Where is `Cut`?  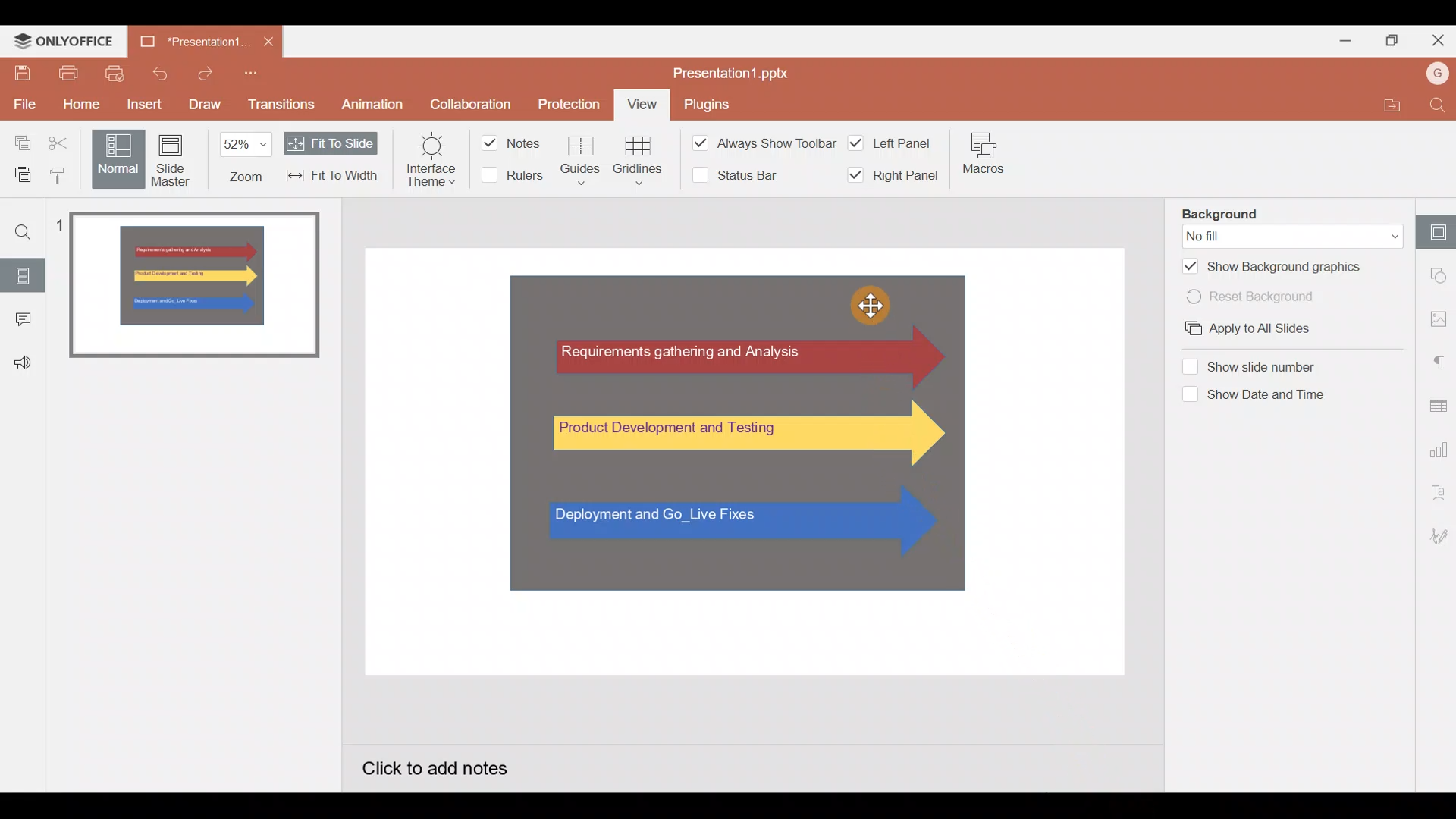 Cut is located at coordinates (63, 141).